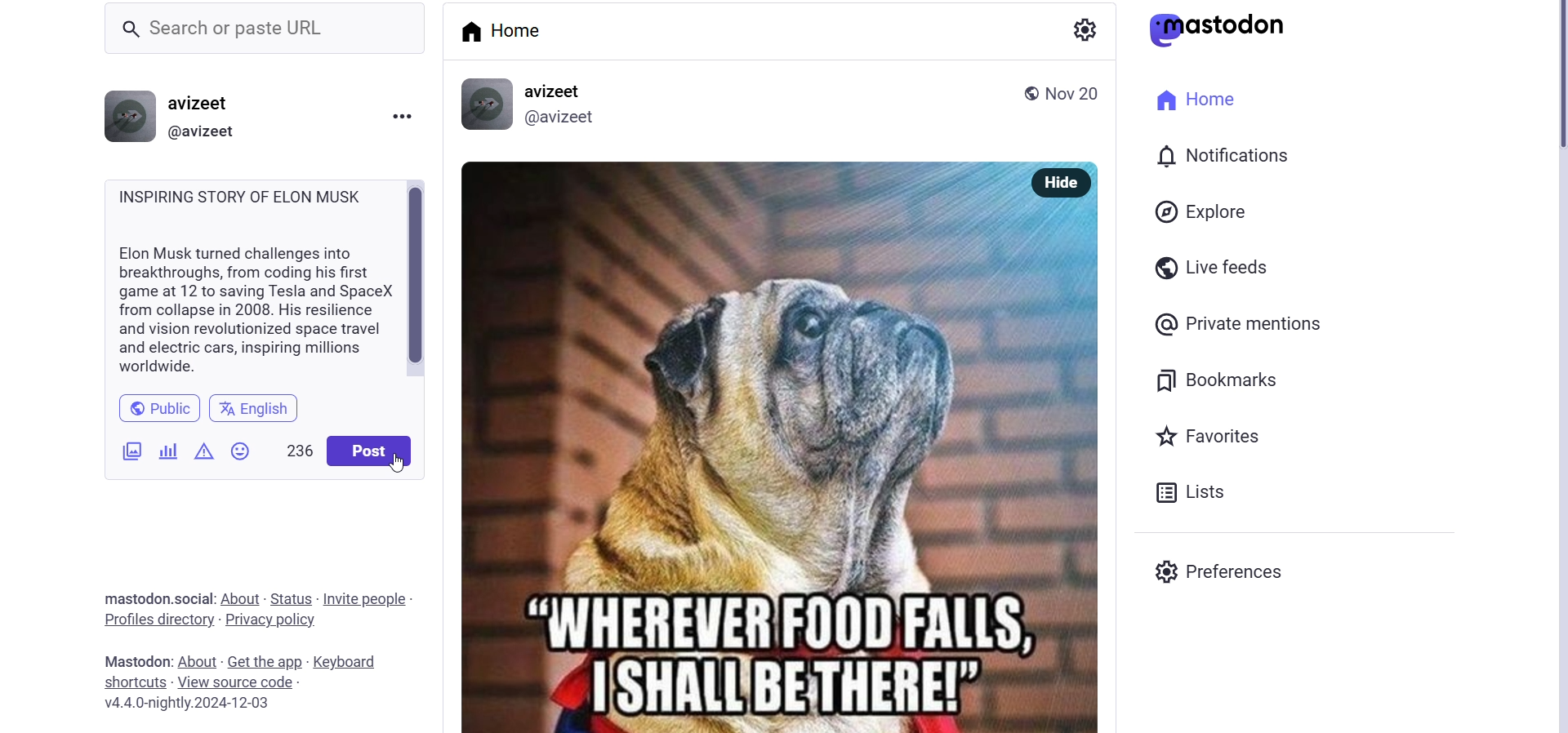 Image resolution: width=1568 pixels, height=733 pixels. Describe the element at coordinates (1558, 366) in the screenshot. I see `scroll bar` at that location.